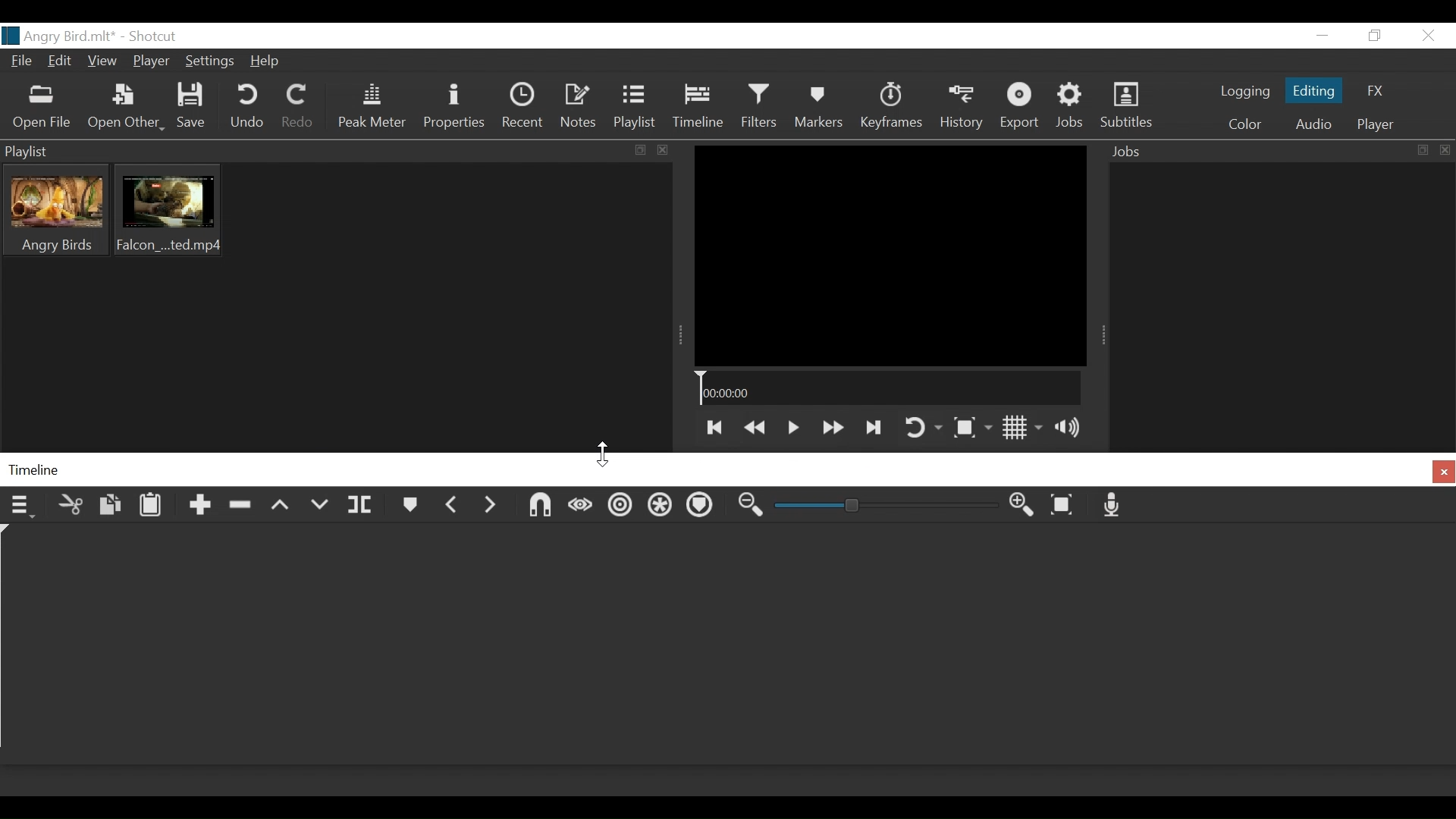  Describe the element at coordinates (240, 510) in the screenshot. I see `Ripple Delete` at that location.